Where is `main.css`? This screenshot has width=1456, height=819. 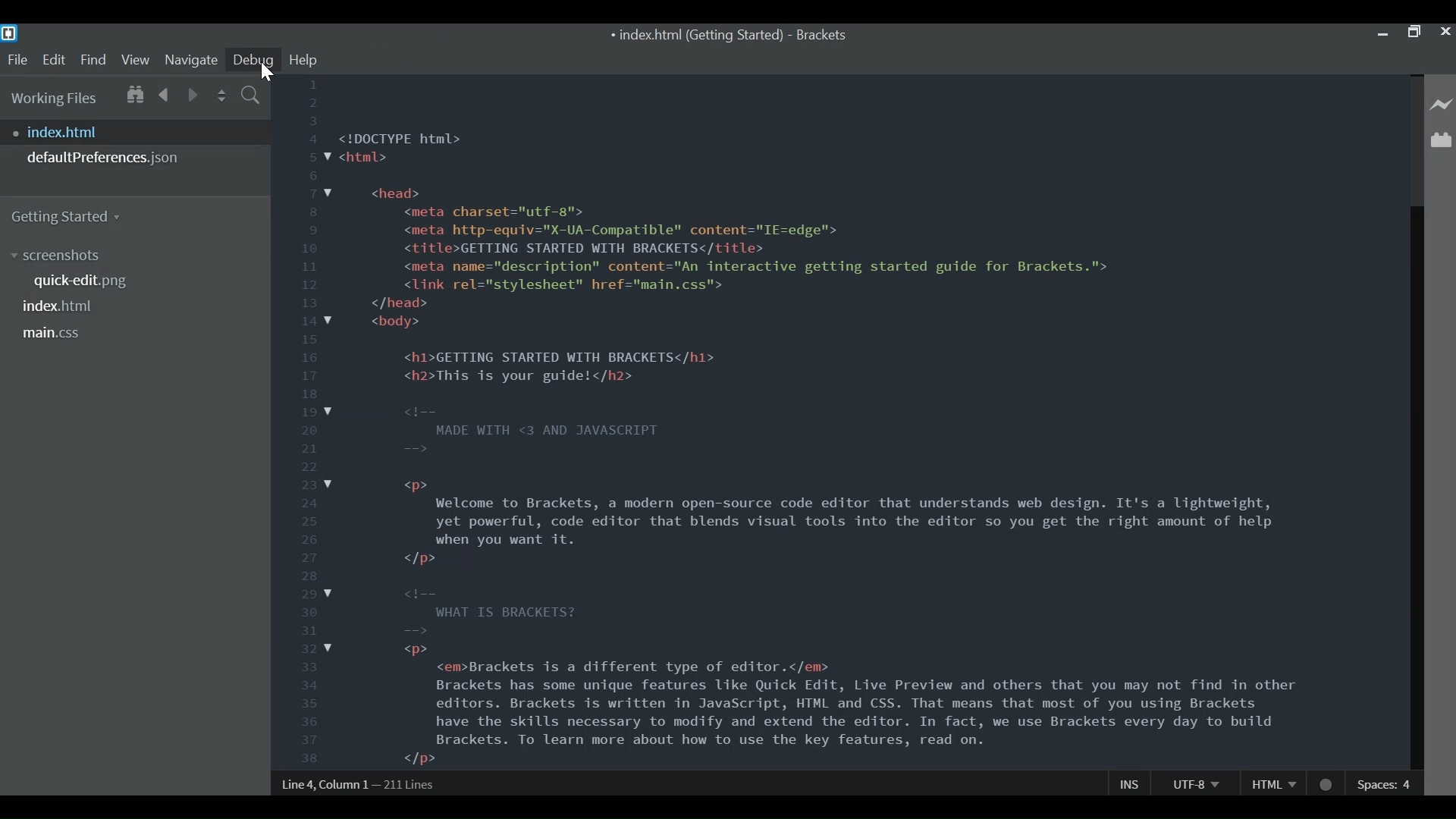 main.css is located at coordinates (52, 334).